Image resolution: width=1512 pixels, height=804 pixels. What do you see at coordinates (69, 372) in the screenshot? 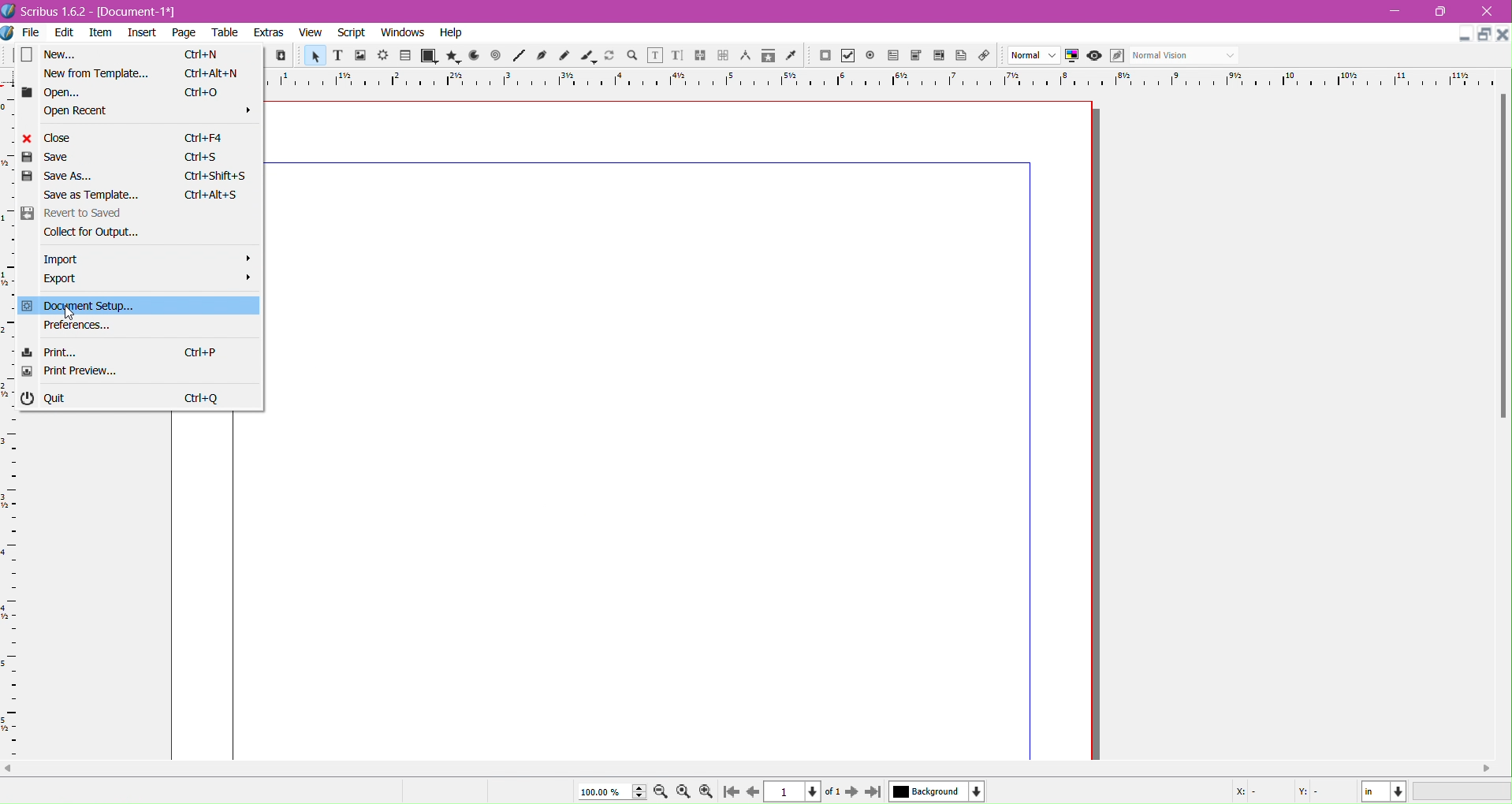
I see `print preview` at bounding box center [69, 372].